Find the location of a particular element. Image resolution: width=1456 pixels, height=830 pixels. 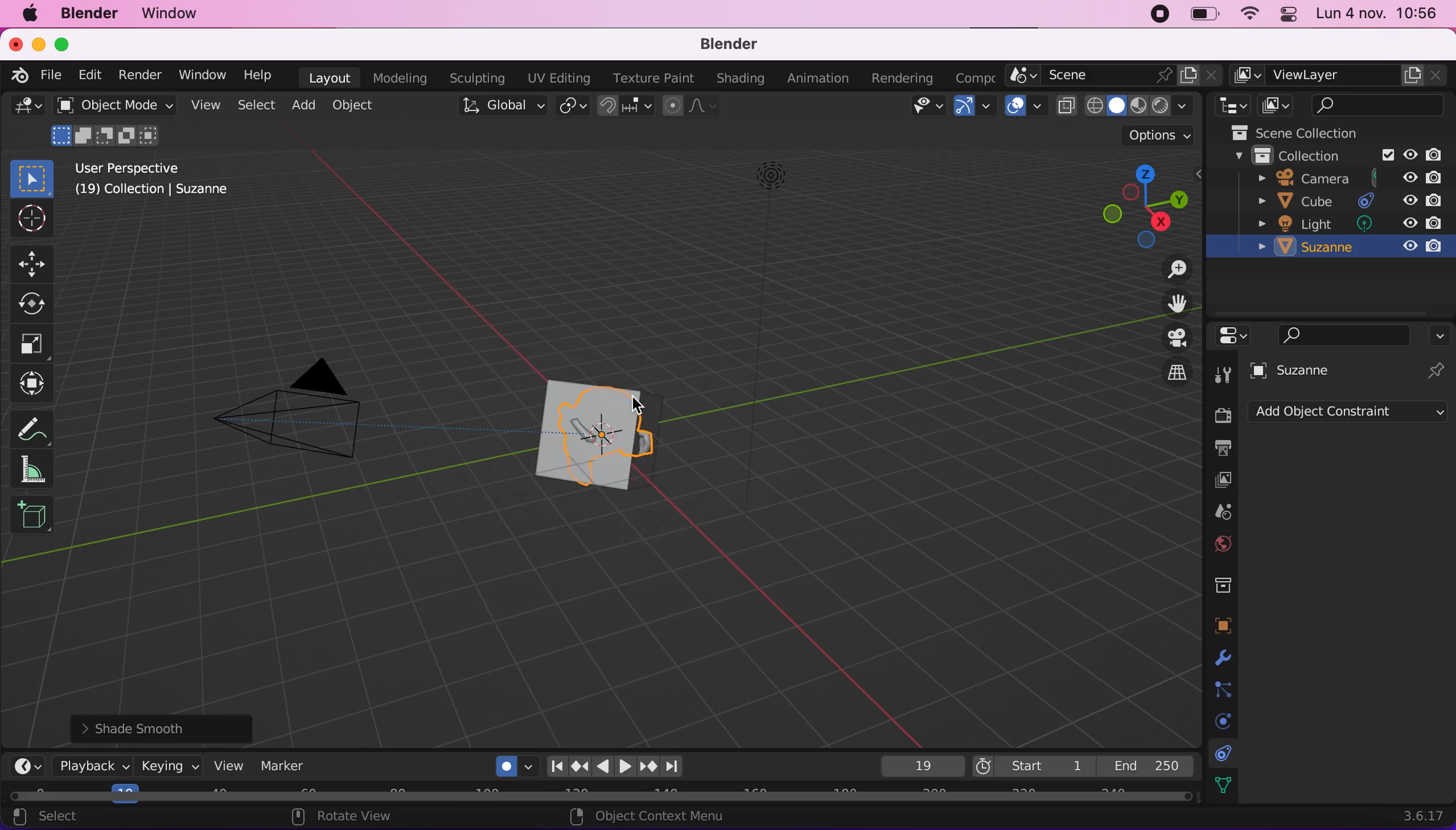

show gizmo is located at coordinates (962, 108).